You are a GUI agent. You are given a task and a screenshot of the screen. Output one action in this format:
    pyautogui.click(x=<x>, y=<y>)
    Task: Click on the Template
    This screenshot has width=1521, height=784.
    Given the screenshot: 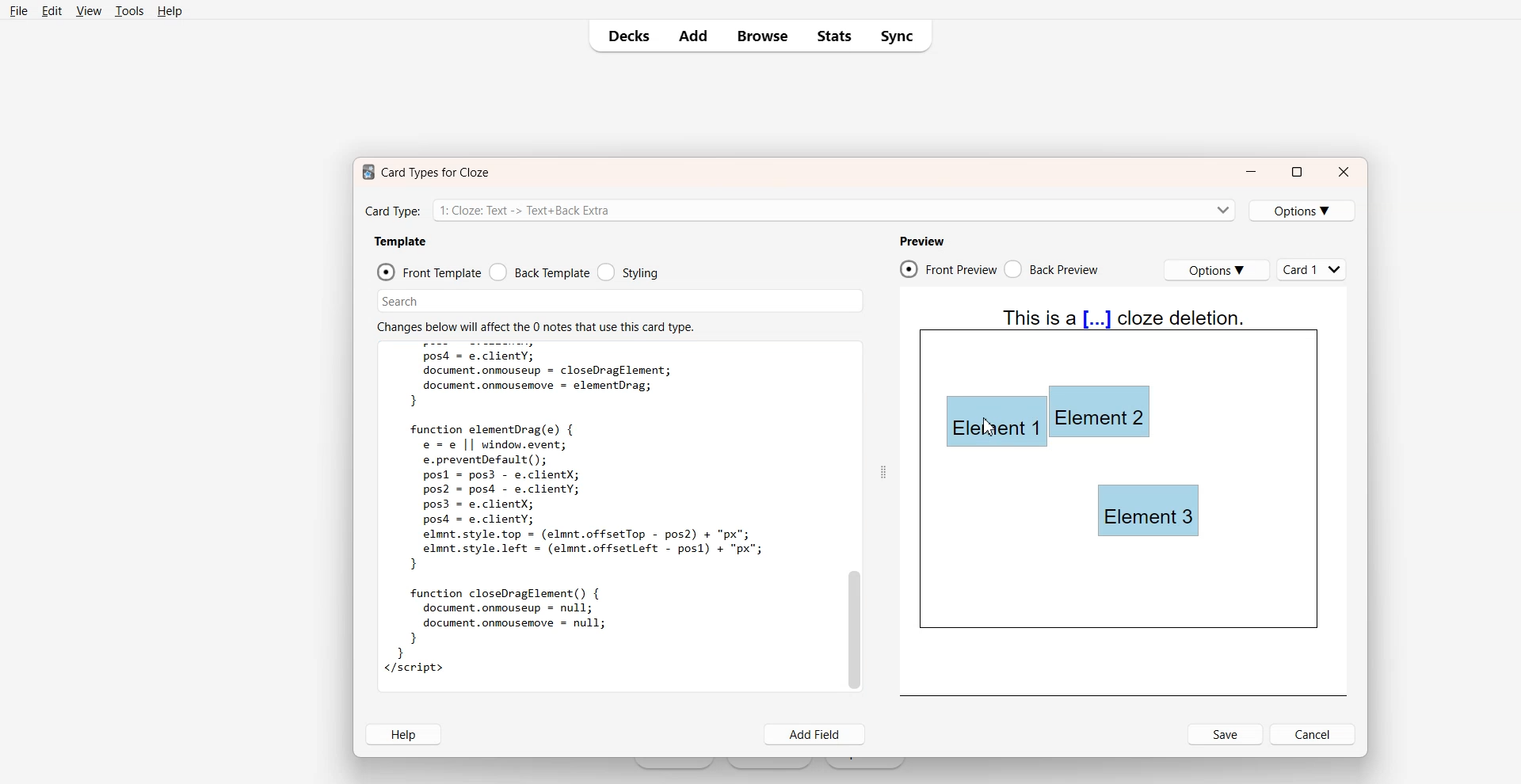 What is the action you would take?
    pyautogui.click(x=400, y=242)
    